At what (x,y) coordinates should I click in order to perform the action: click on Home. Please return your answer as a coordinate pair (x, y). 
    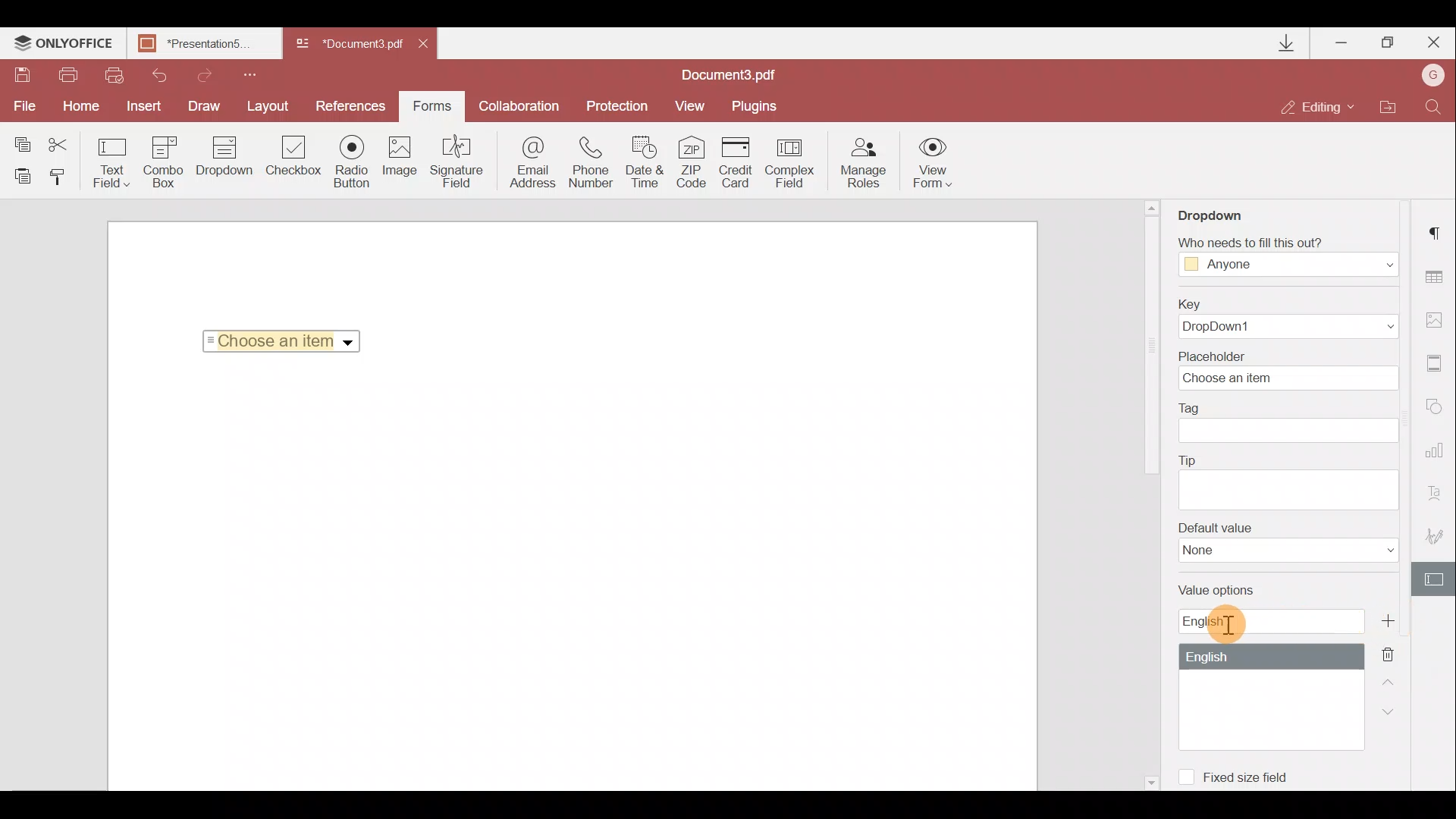
    Looking at the image, I should click on (78, 106).